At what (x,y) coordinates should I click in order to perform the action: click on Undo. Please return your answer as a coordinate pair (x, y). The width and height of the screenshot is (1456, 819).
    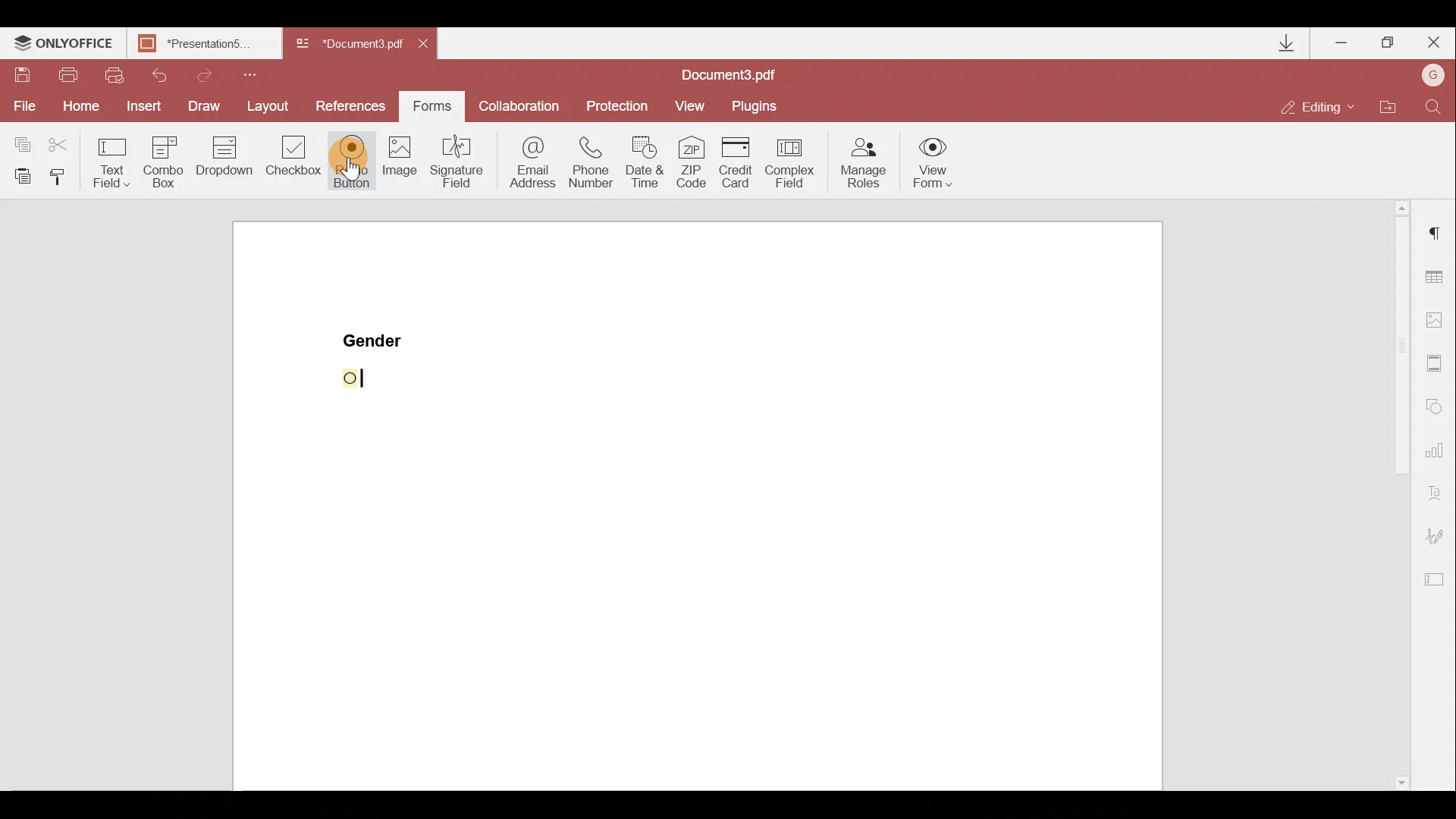
    Looking at the image, I should click on (167, 74).